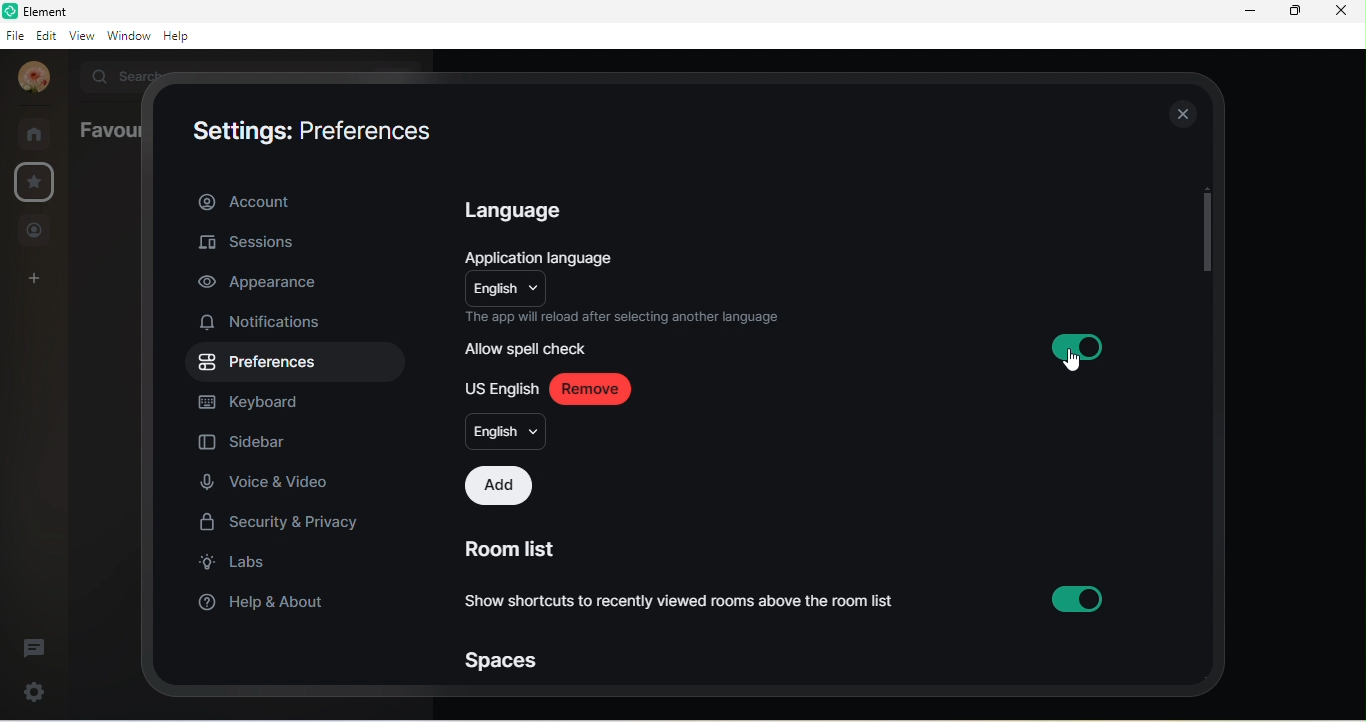 This screenshot has height=722, width=1366. What do you see at coordinates (502, 665) in the screenshot?
I see `spaces` at bounding box center [502, 665].